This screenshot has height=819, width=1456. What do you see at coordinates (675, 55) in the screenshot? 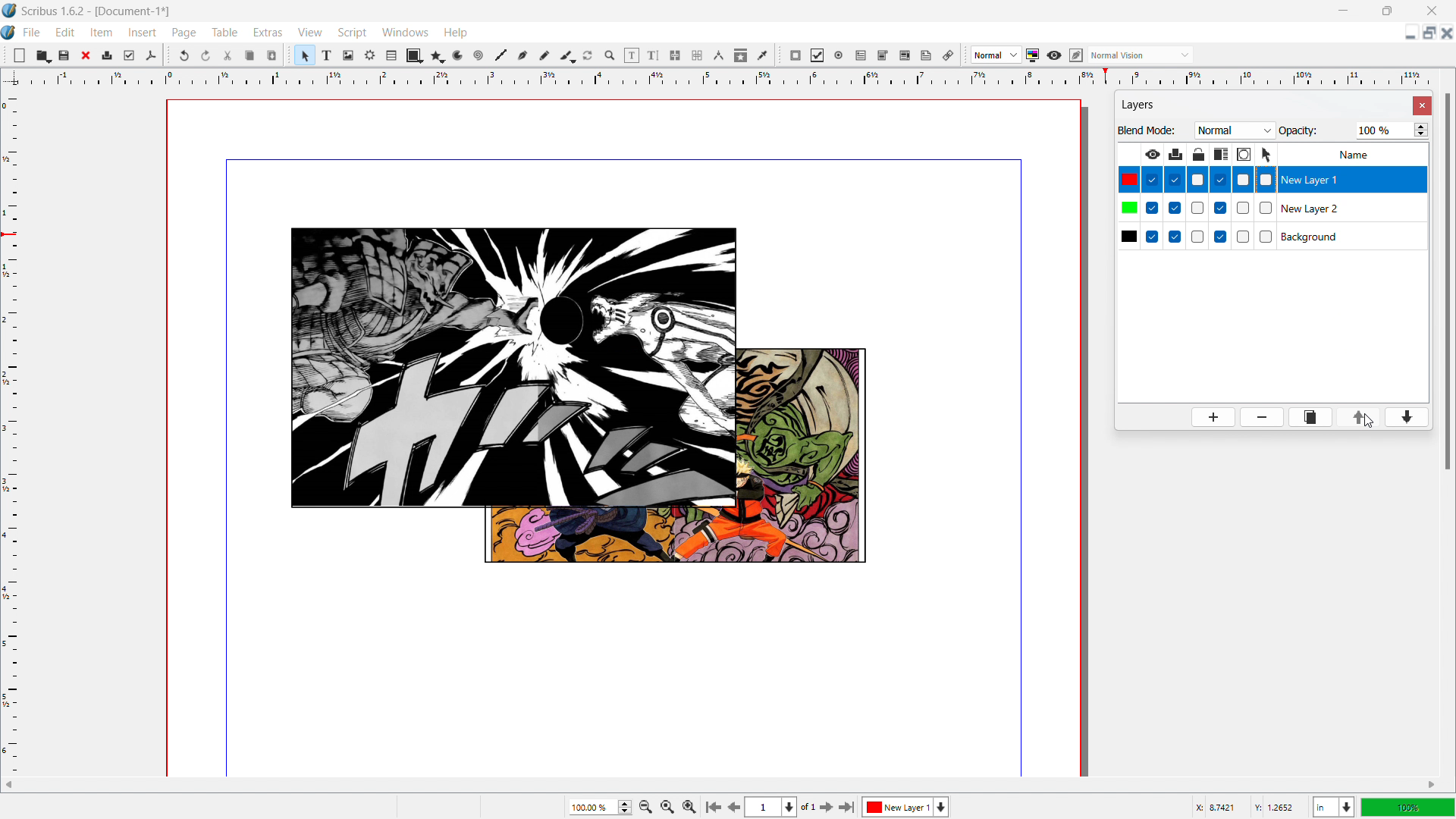
I see `link text frames` at bounding box center [675, 55].